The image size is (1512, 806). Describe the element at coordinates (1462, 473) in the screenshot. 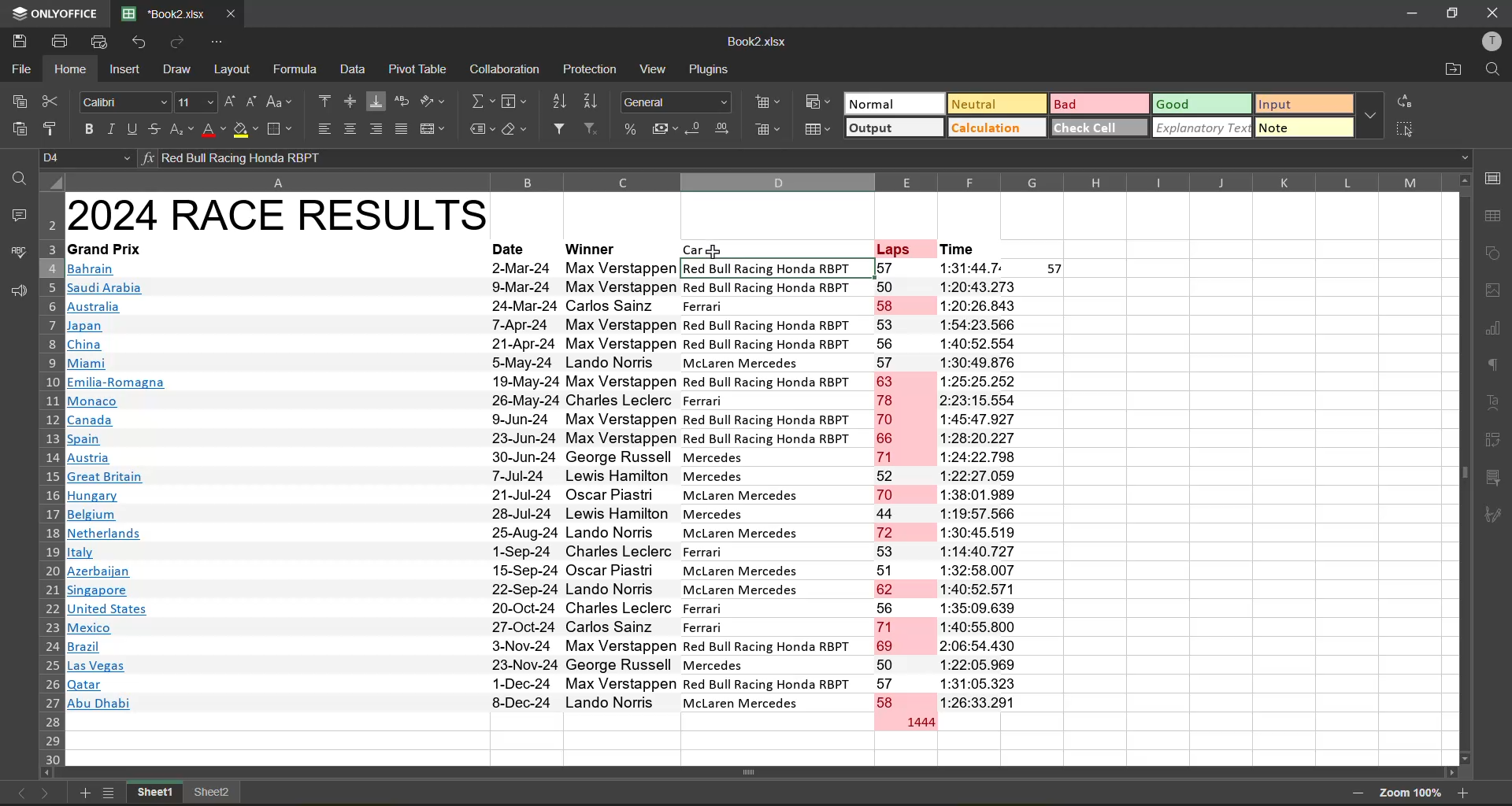

I see `Vertical scroll` at that location.